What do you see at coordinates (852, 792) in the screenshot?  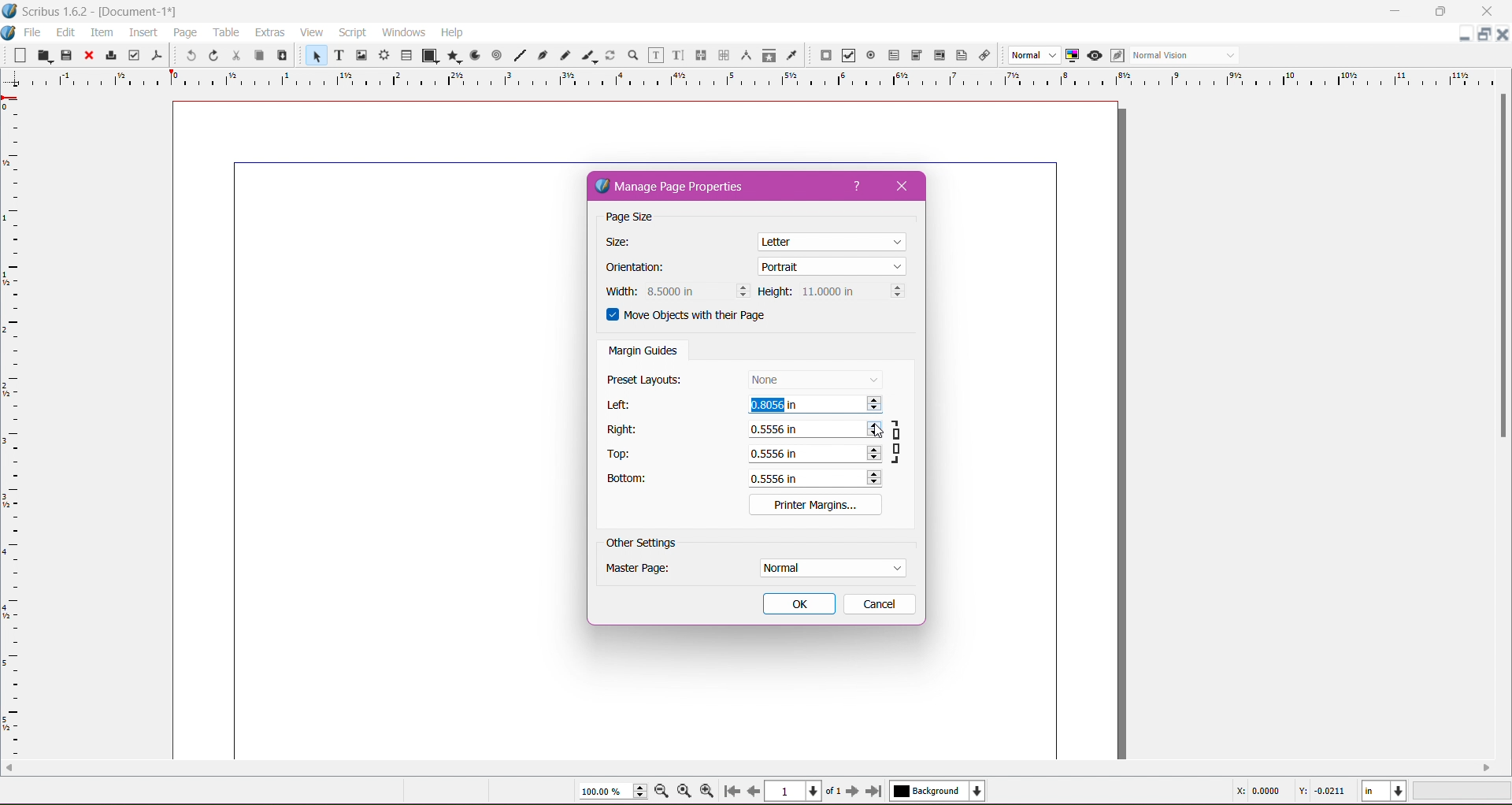 I see `Go to next page` at bounding box center [852, 792].